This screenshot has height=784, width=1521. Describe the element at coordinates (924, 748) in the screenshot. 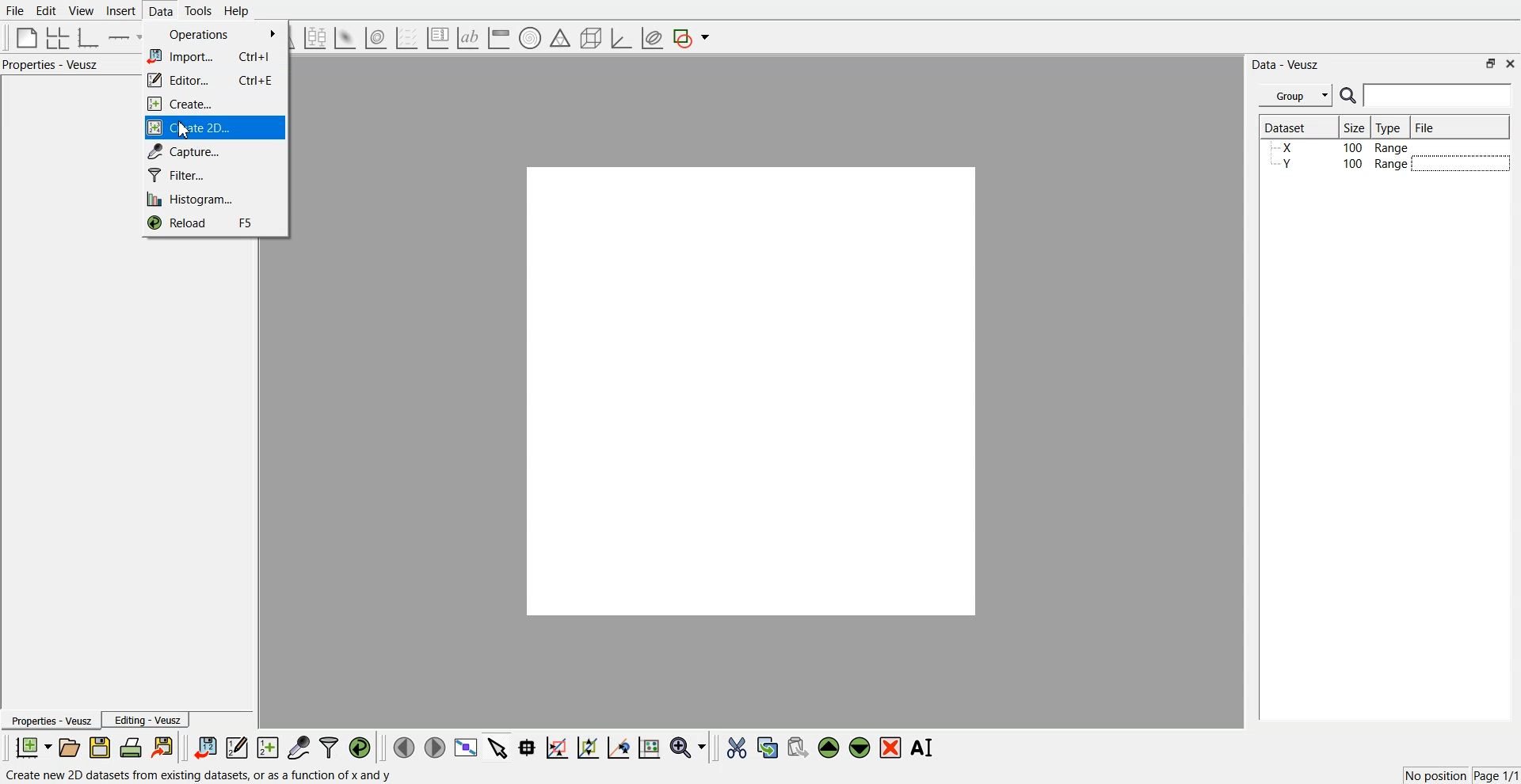

I see `Rename the selected widget` at that location.